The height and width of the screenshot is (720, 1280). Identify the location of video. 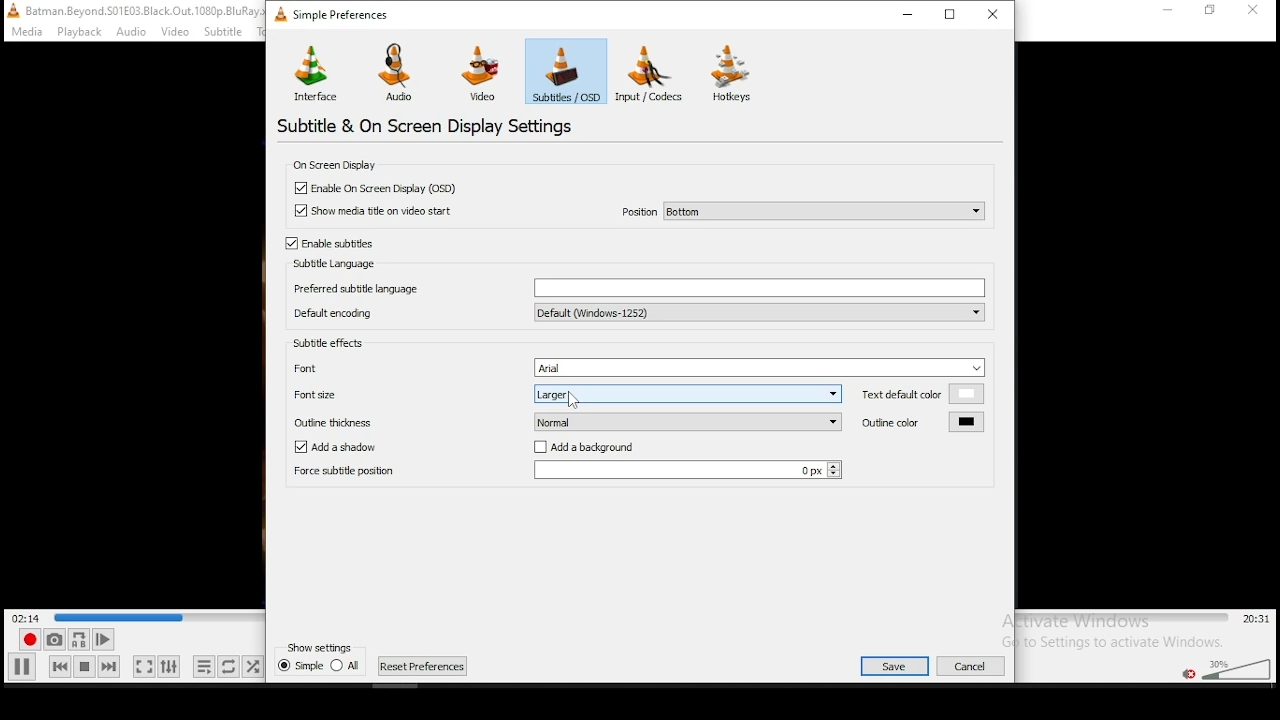
(480, 74).